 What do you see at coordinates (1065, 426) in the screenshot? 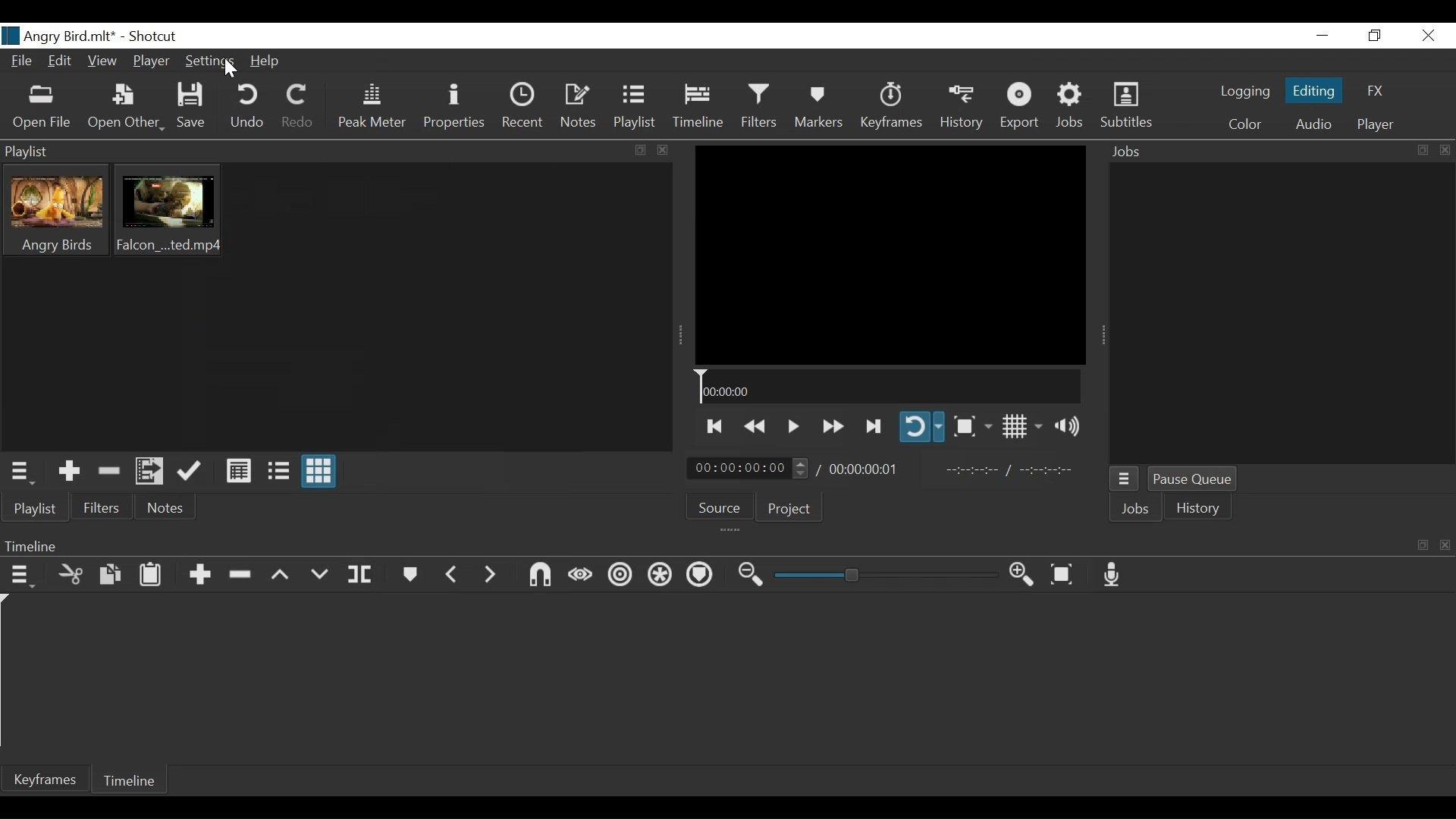
I see `Show volume control` at bounding box center [1065, 426].